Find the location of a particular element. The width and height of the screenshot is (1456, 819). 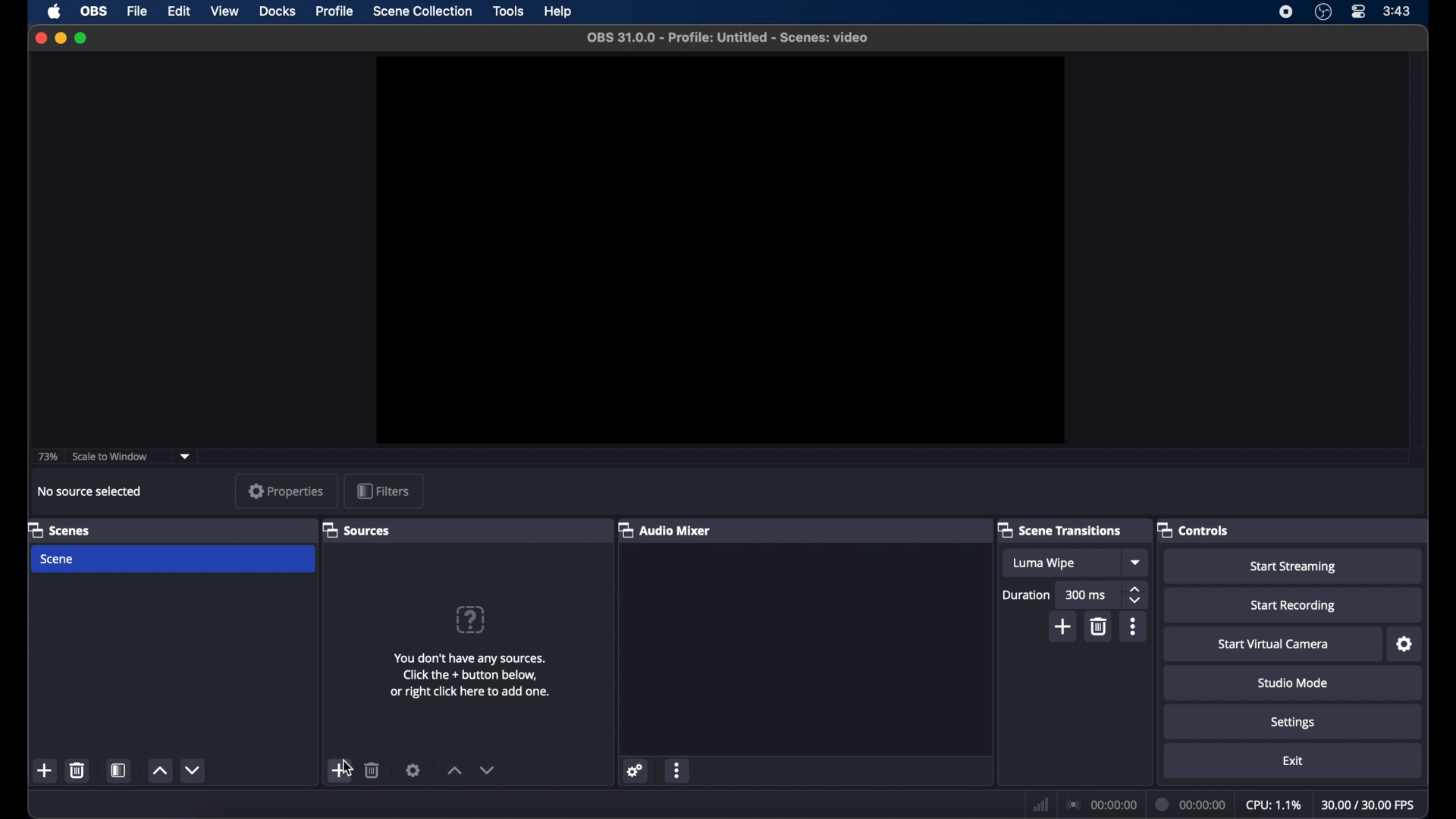

edit is located at coordinates (178, 11).